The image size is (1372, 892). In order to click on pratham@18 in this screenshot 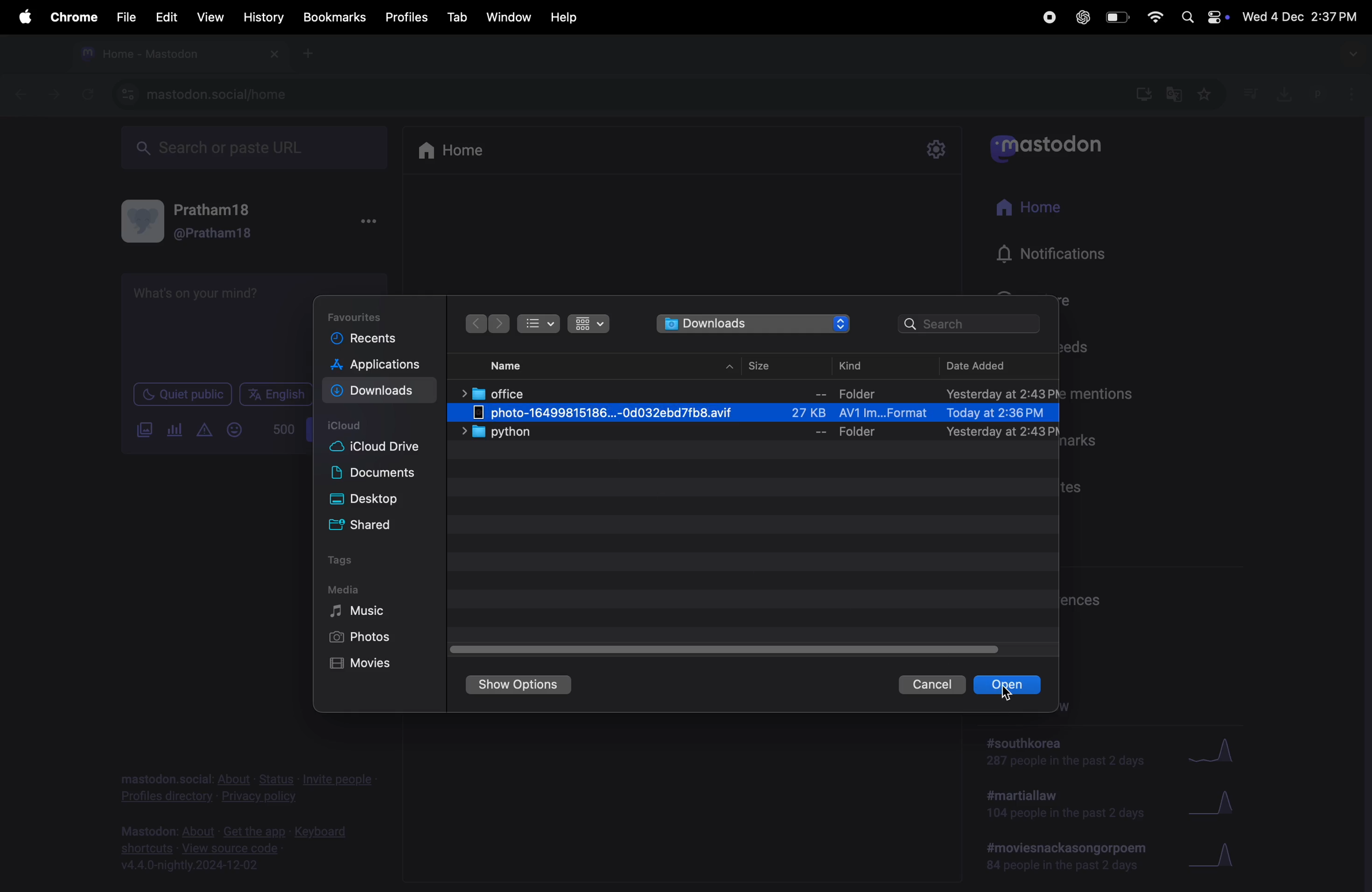, I will do `click(198, 225)`.